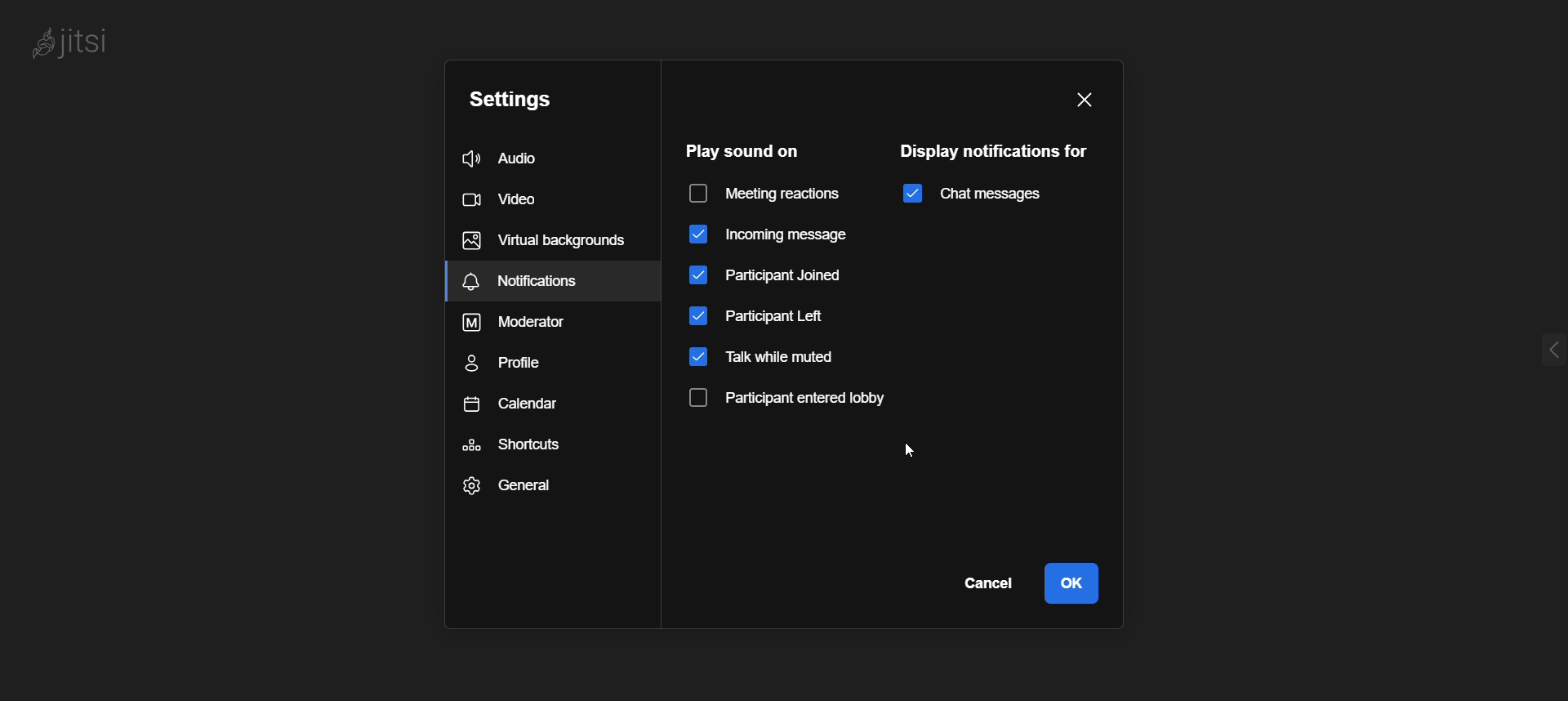  I want to click on participant left, so click(774, 317).